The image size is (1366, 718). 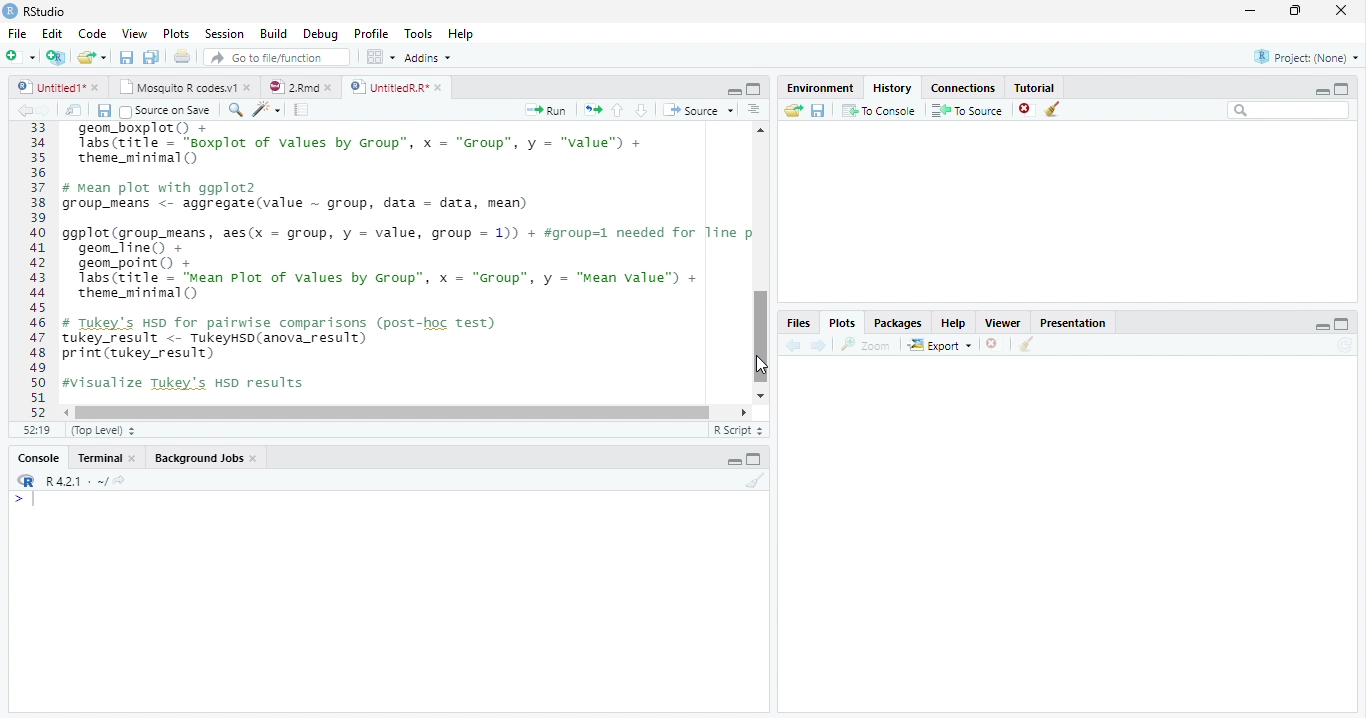 I want to click on Plots, so click(x=841, y=323).